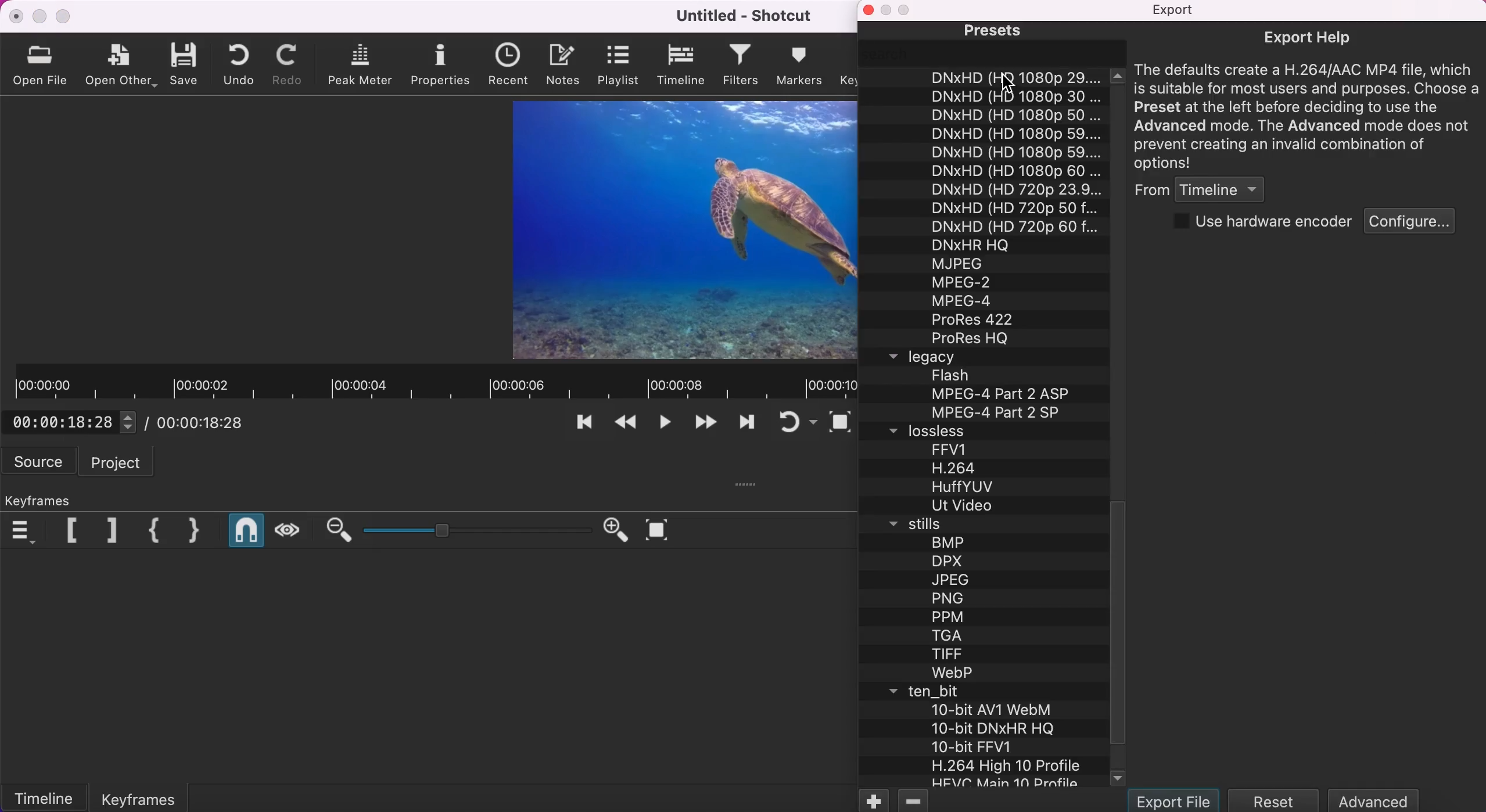 The image size is (1486, 812). I want to click on export file, so click(1174, 800).